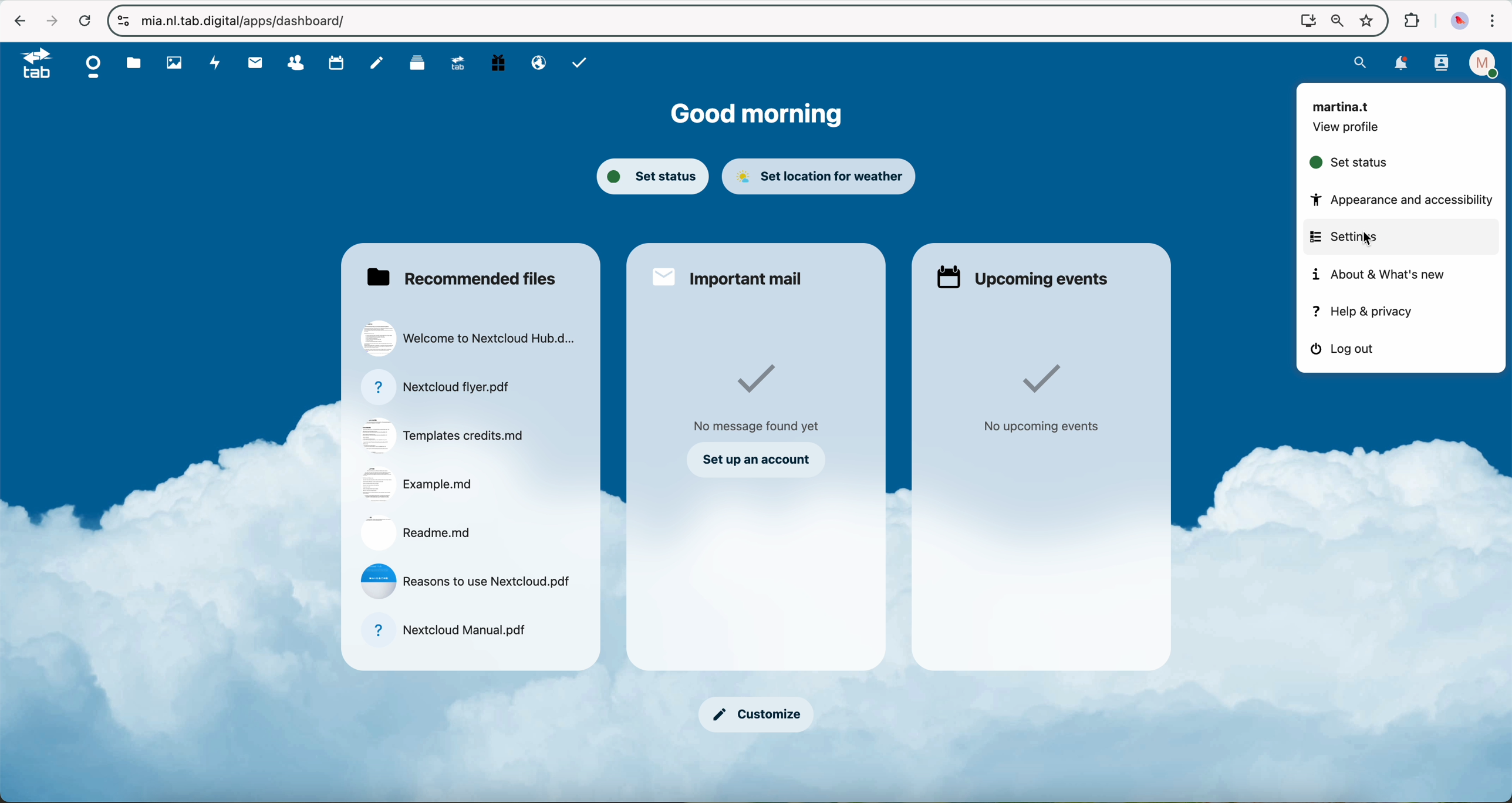 The image size is (1512, 803). I want to click on calendar, so click(338, 63).